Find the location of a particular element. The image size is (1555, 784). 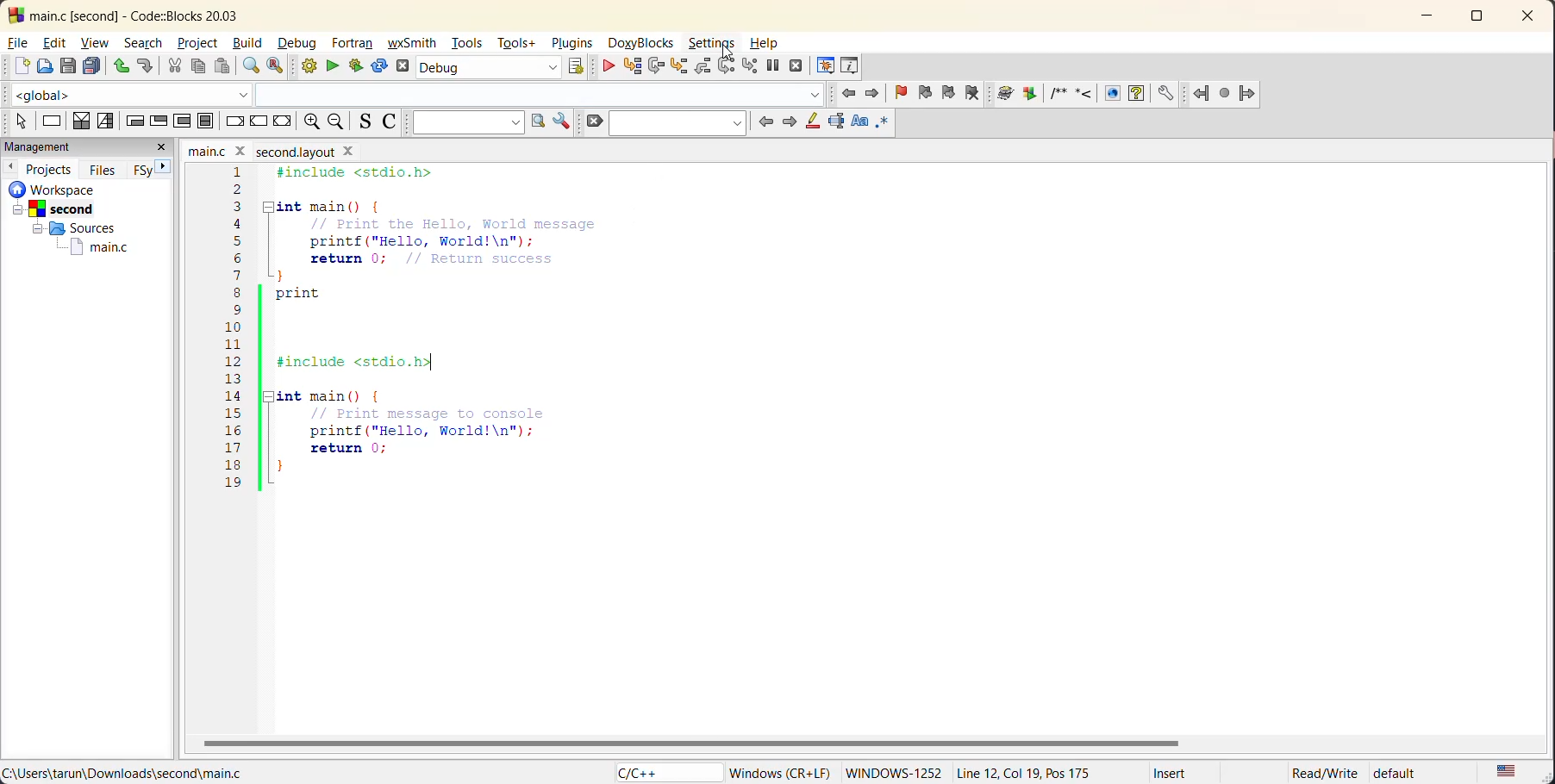

selection is located at coordinates (105, 122).